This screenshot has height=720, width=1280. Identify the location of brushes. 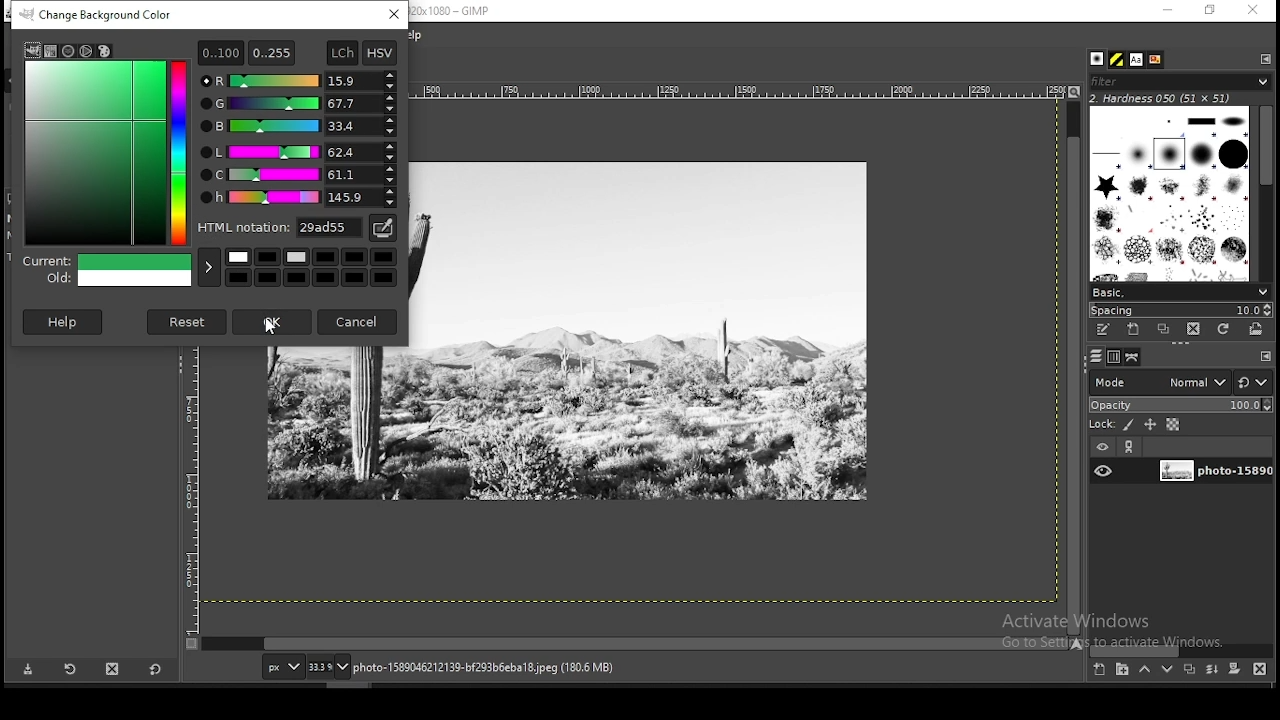
(1171, 193).